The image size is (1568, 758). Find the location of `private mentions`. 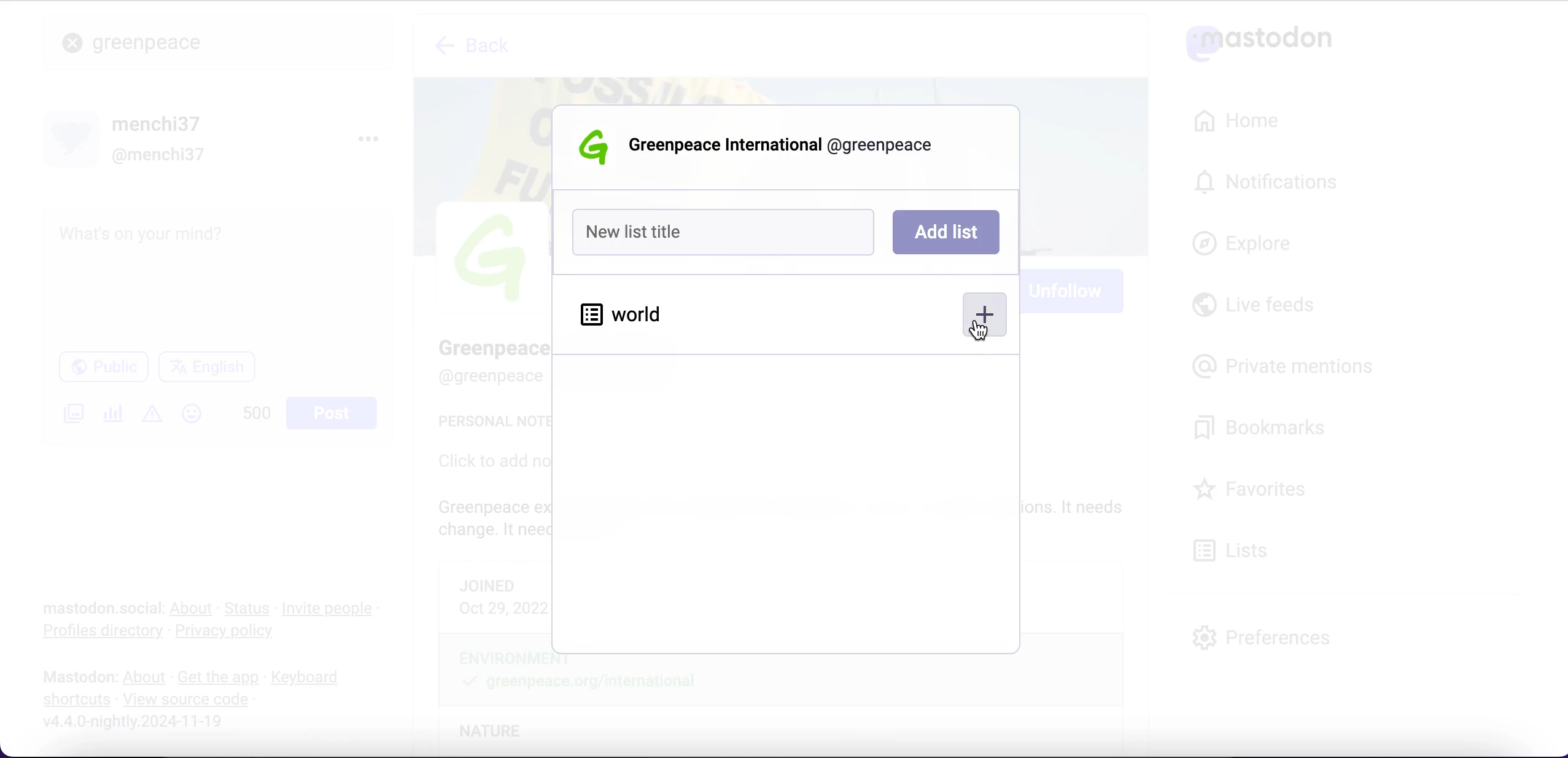

private mentions is located at coordinates (1287, 363).